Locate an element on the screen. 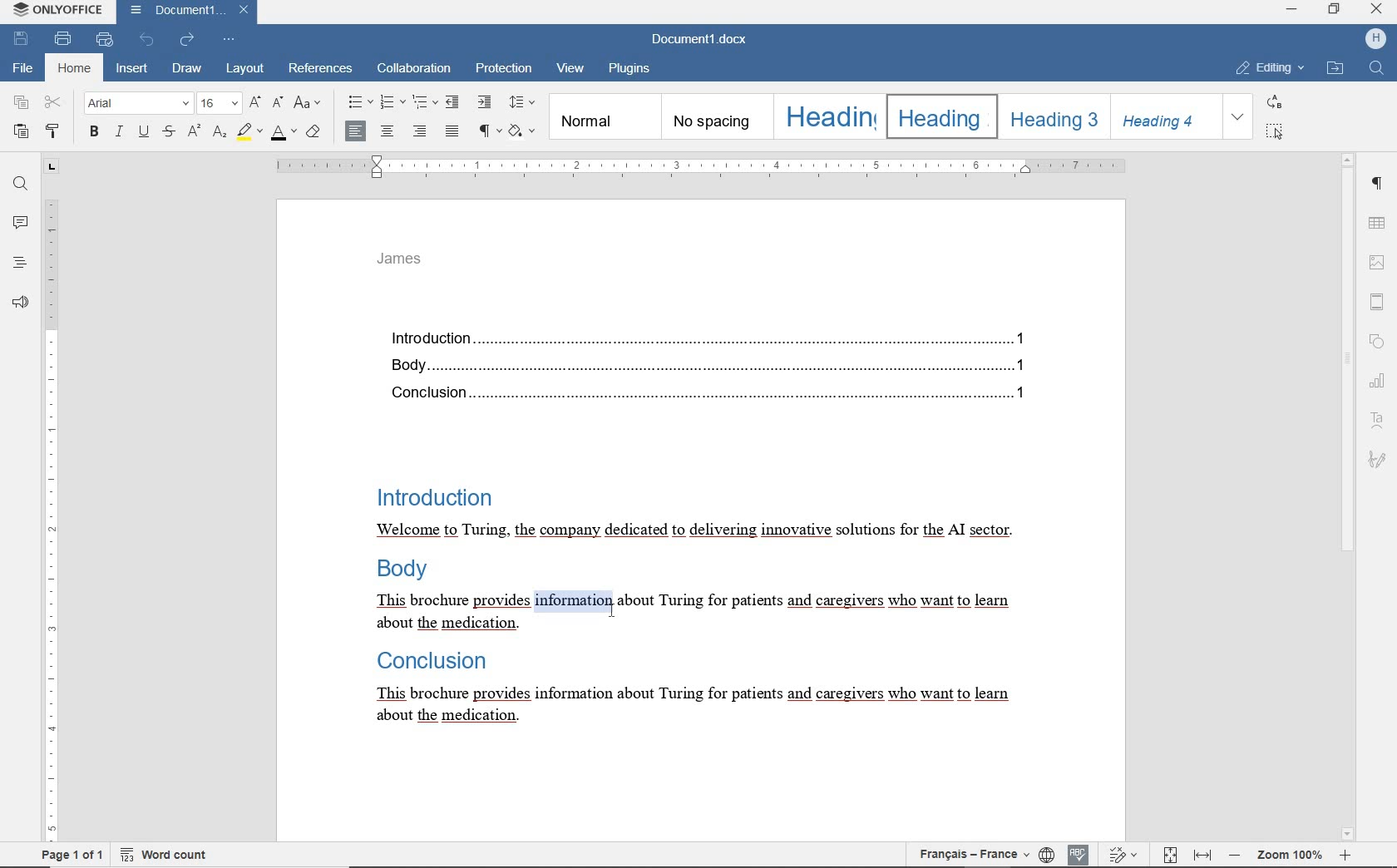 The image size is (1397, 868). SUBSCRIPT is located at coordinates (219, 133).